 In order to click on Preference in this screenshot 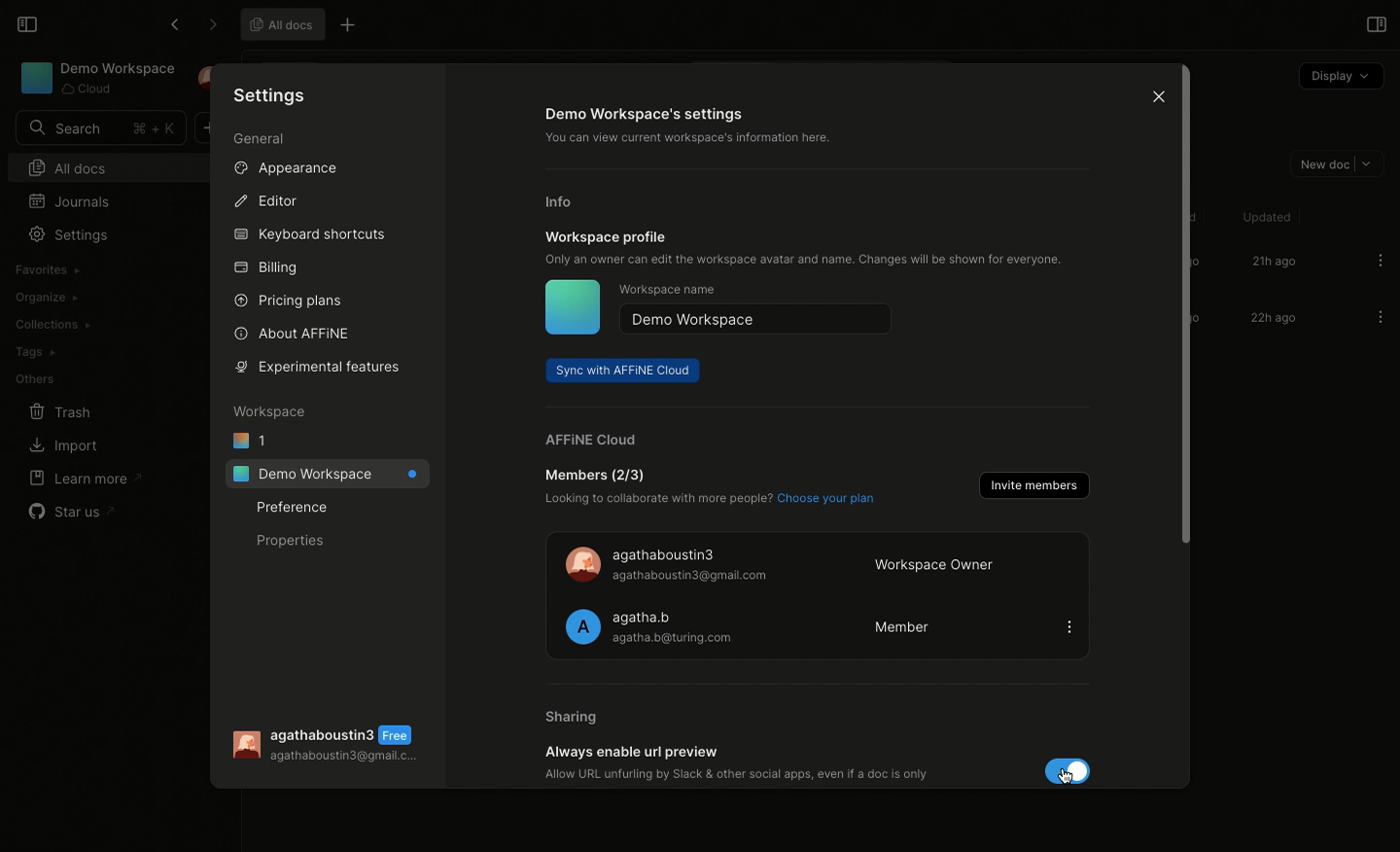, I will do `click(295, 507)`.